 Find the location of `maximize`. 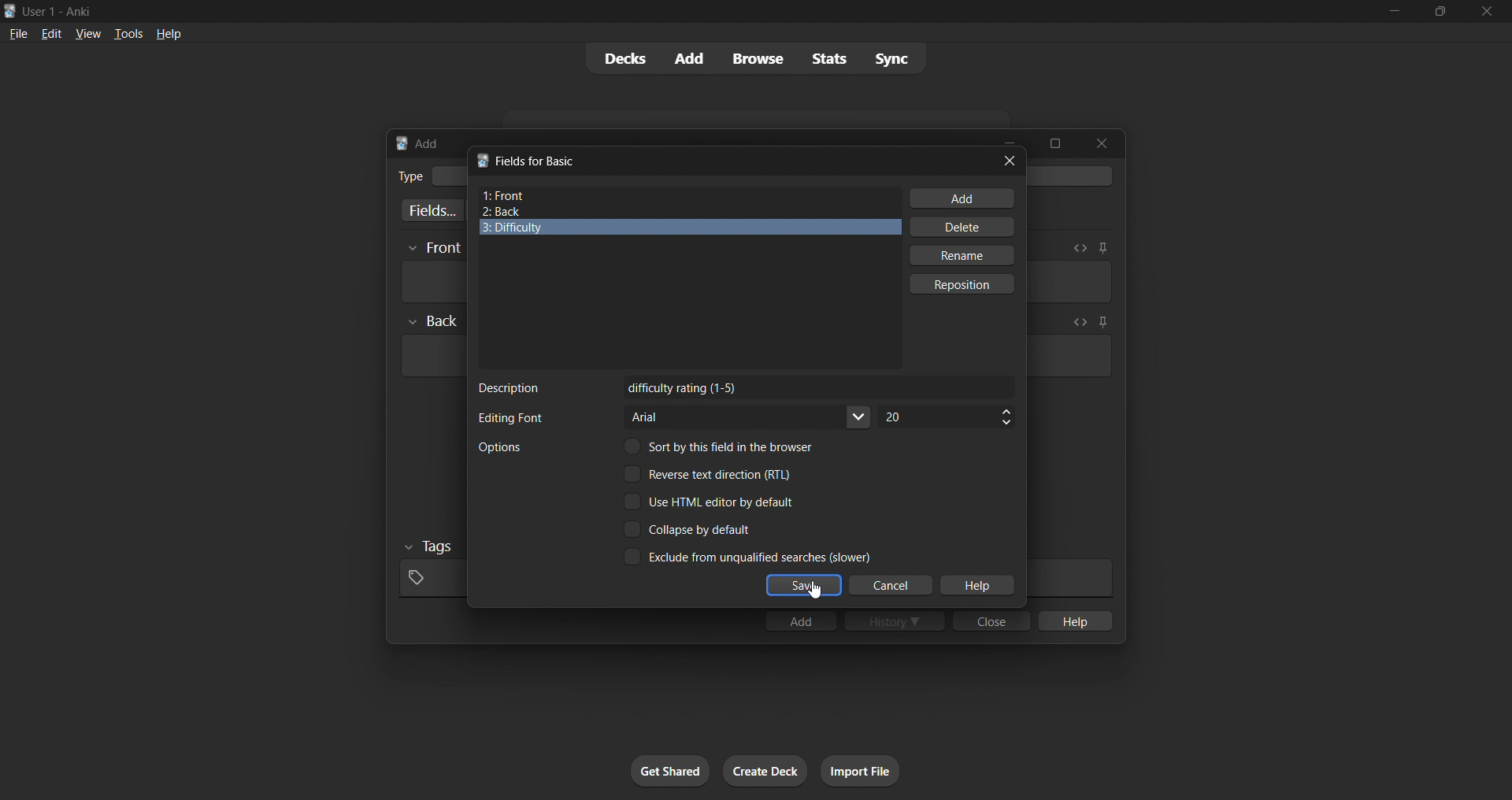

maximize is located at coordinates (1054, 143).